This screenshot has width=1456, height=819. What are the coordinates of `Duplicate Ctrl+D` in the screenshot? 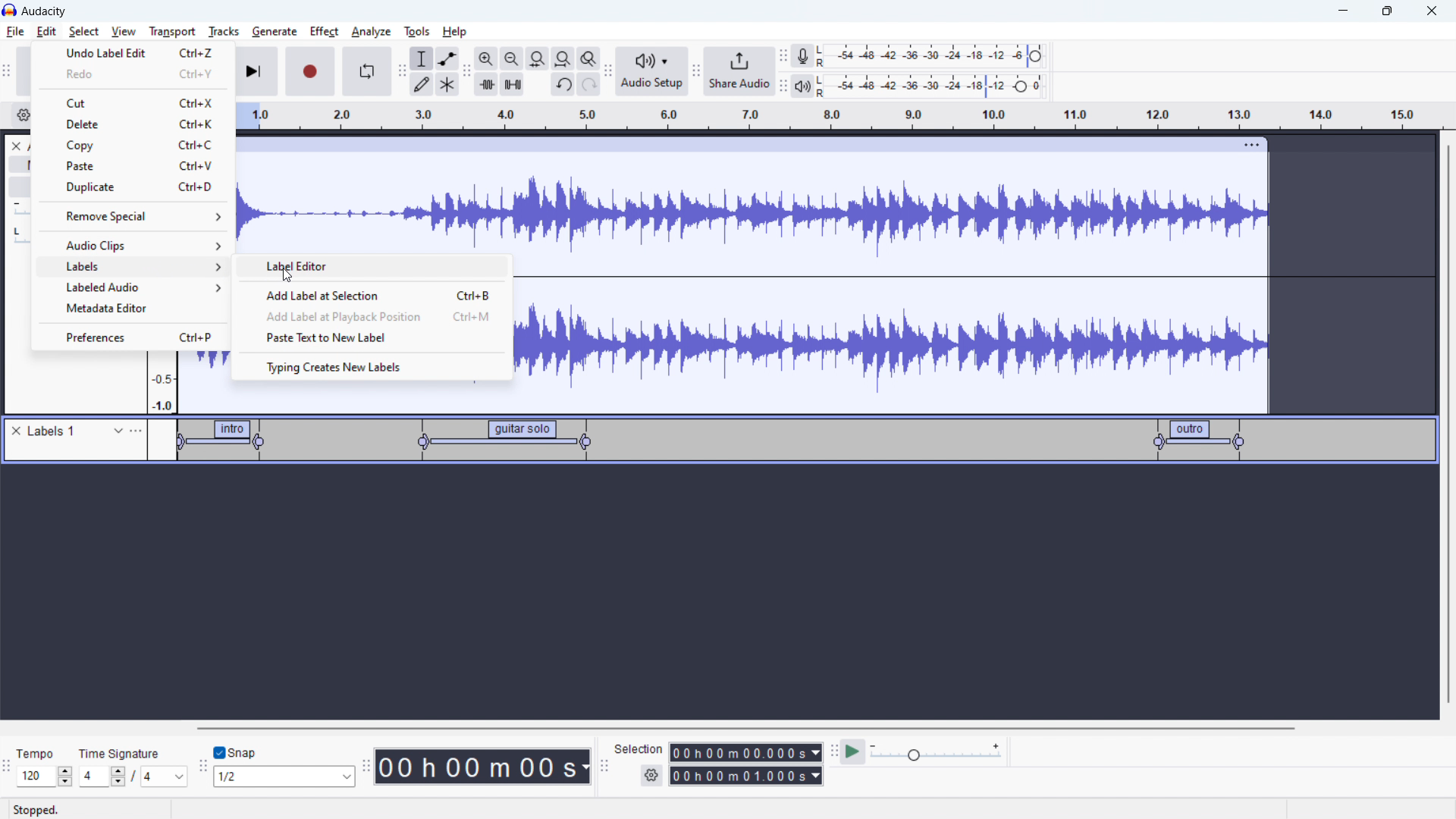 It's located at (142, 190).